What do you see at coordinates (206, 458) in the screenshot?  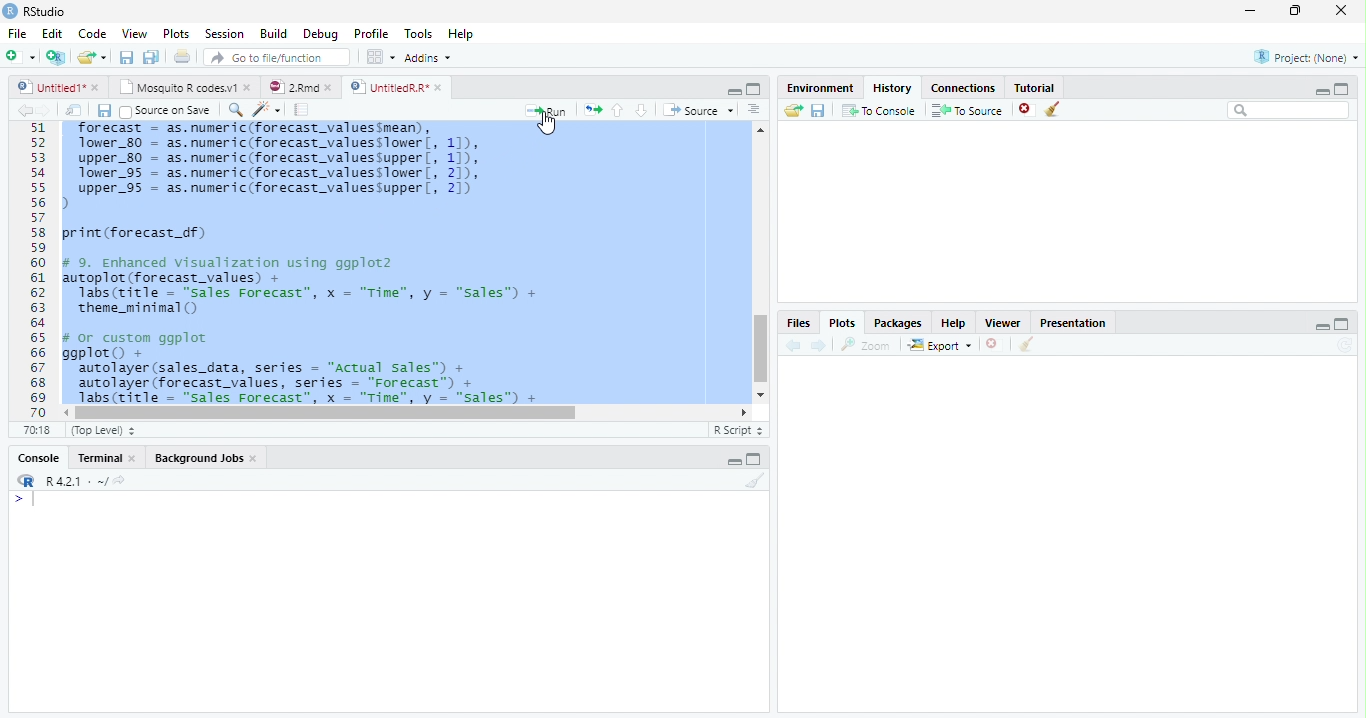 I see `Background jobs` at bounding box center [206, 458].